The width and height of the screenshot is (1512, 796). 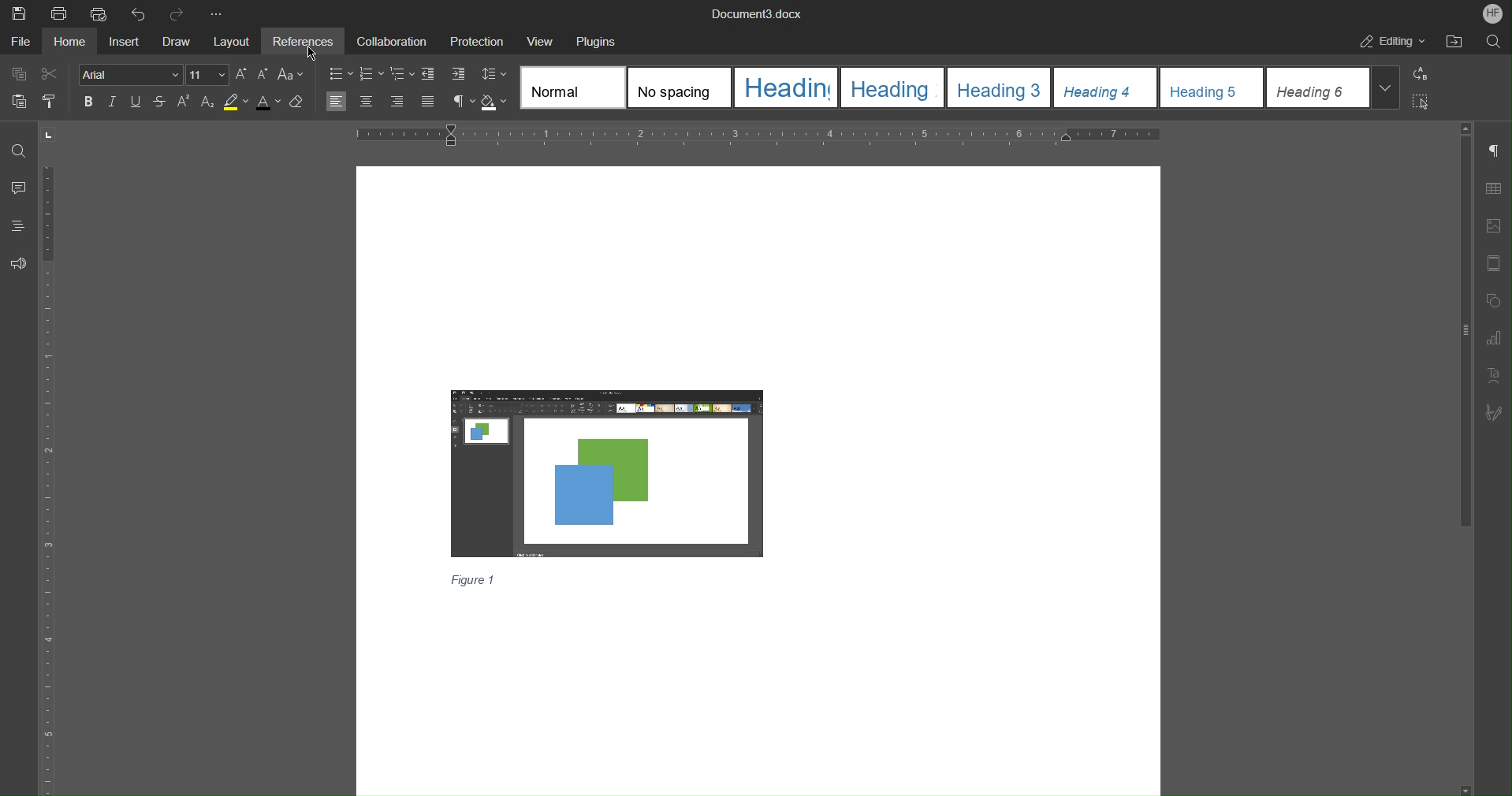 What do you see at coordinates (678, 86) in the screenshot?
I see `No spacing` at bounding box center [678, 86].